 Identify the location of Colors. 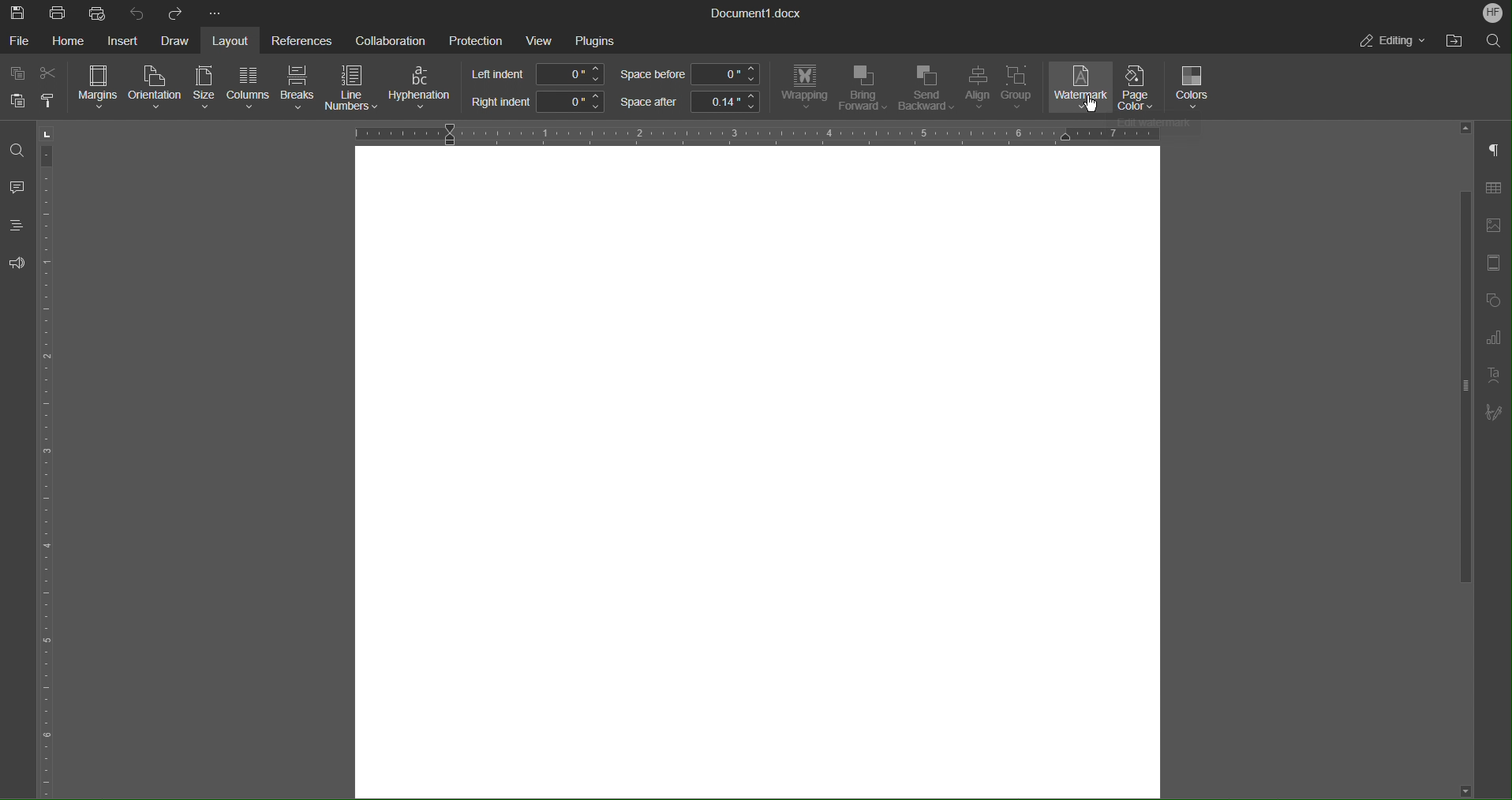
(1194, 88).